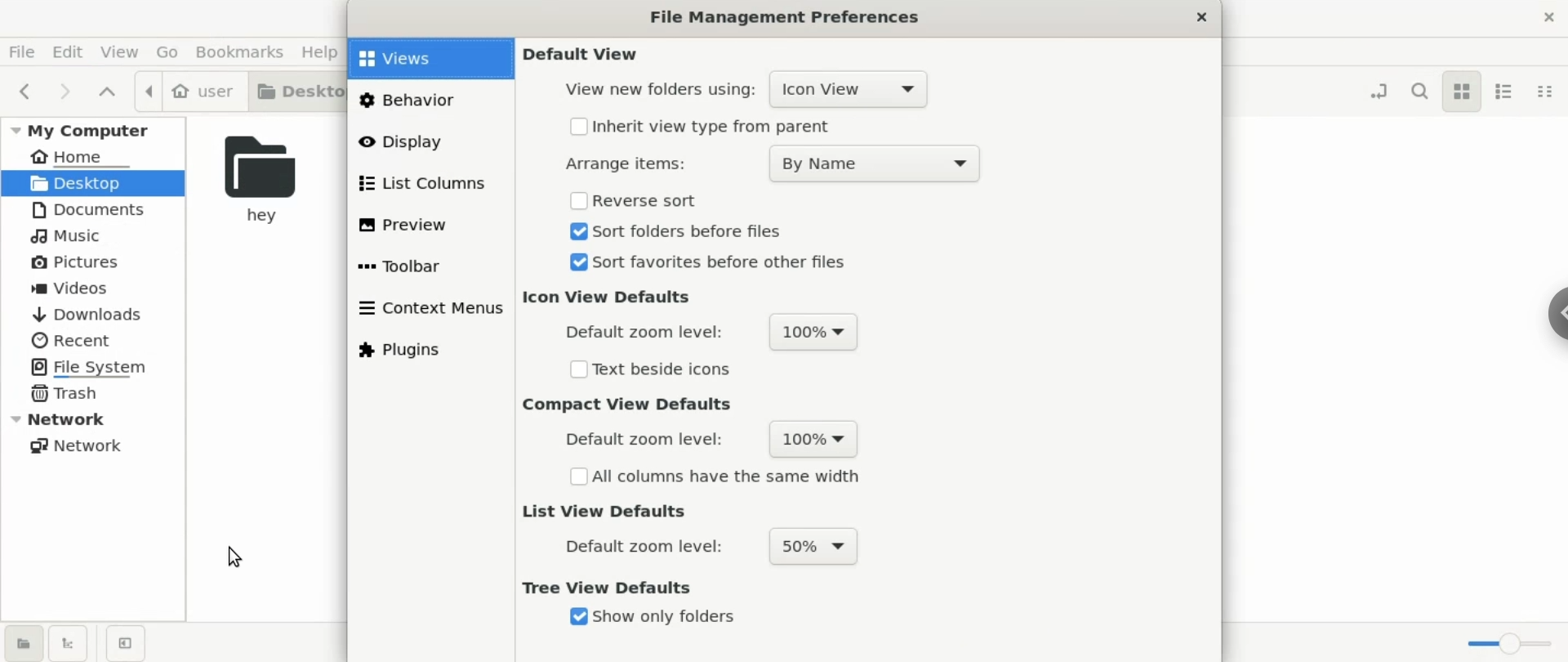 The height and width of the screenshot is (662, 1568). Describe the element at coordinates (683, 232) in the screenshot. I see `sort folders before files` at that location.